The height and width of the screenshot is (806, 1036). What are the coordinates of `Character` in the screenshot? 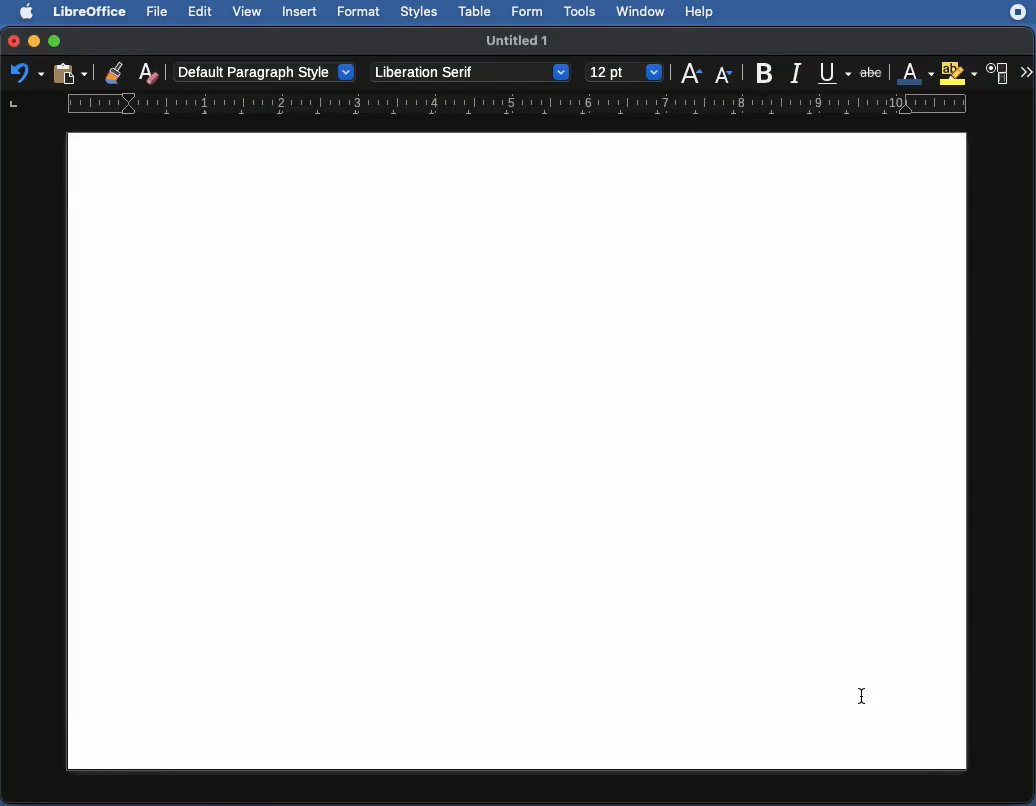 It's located at (1000, 73).